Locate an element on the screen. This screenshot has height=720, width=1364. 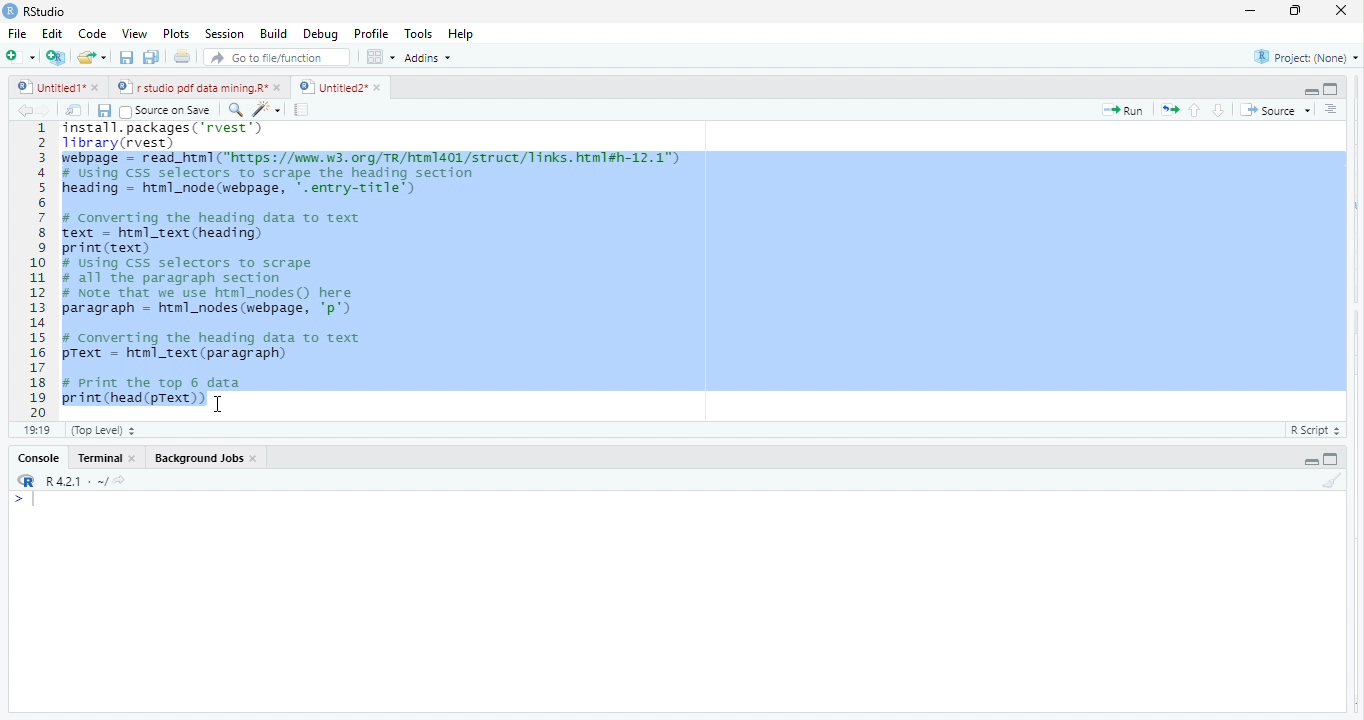
hide r script is located at coordinates (1310, 461).